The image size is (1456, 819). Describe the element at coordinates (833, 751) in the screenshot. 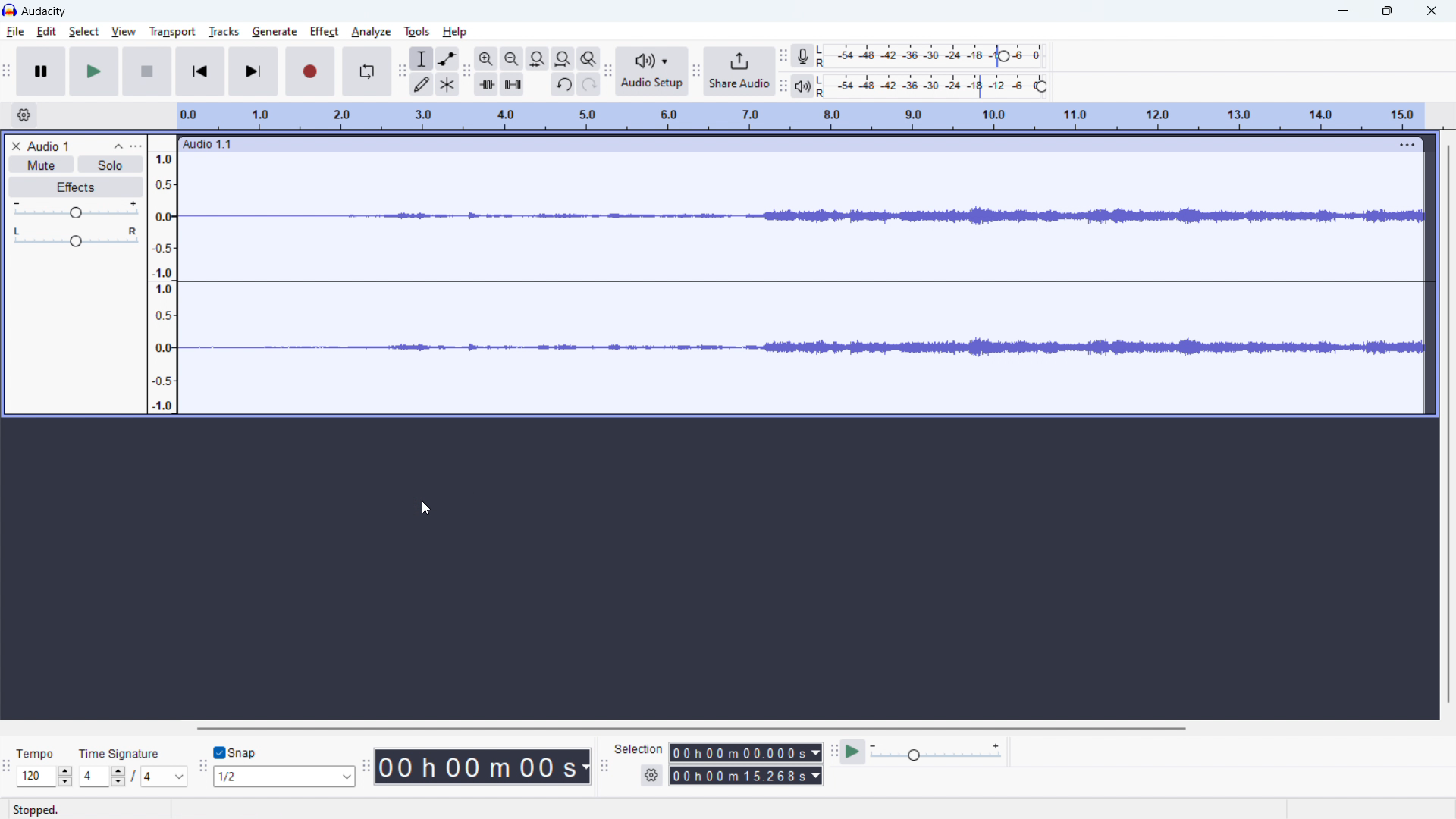

I see `play at speed toolbar` at that location.